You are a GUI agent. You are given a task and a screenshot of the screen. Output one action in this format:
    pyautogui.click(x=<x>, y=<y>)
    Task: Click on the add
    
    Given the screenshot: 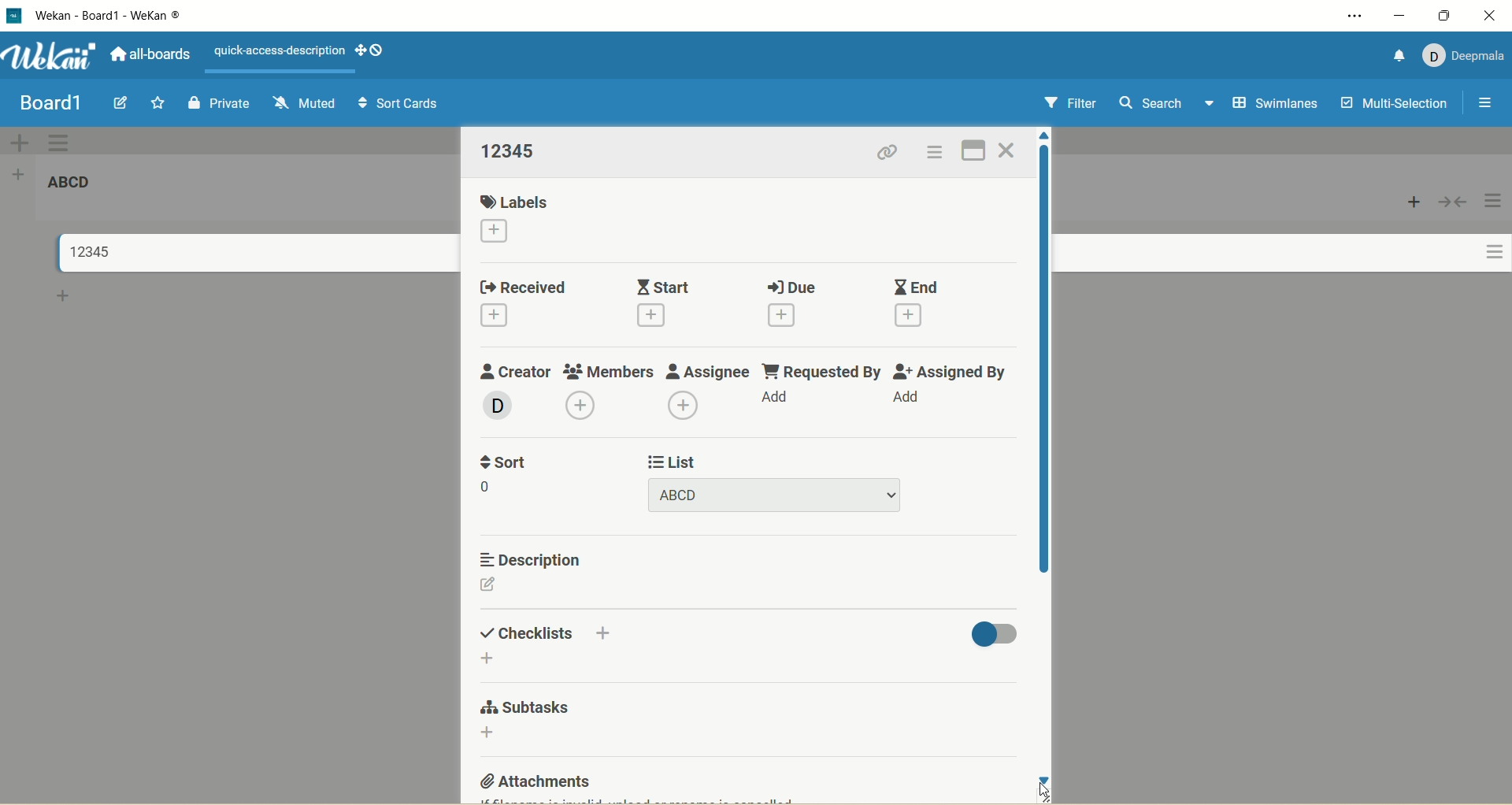 What is the action you would take?
    pyautogui.click(x=580, y=403)
    